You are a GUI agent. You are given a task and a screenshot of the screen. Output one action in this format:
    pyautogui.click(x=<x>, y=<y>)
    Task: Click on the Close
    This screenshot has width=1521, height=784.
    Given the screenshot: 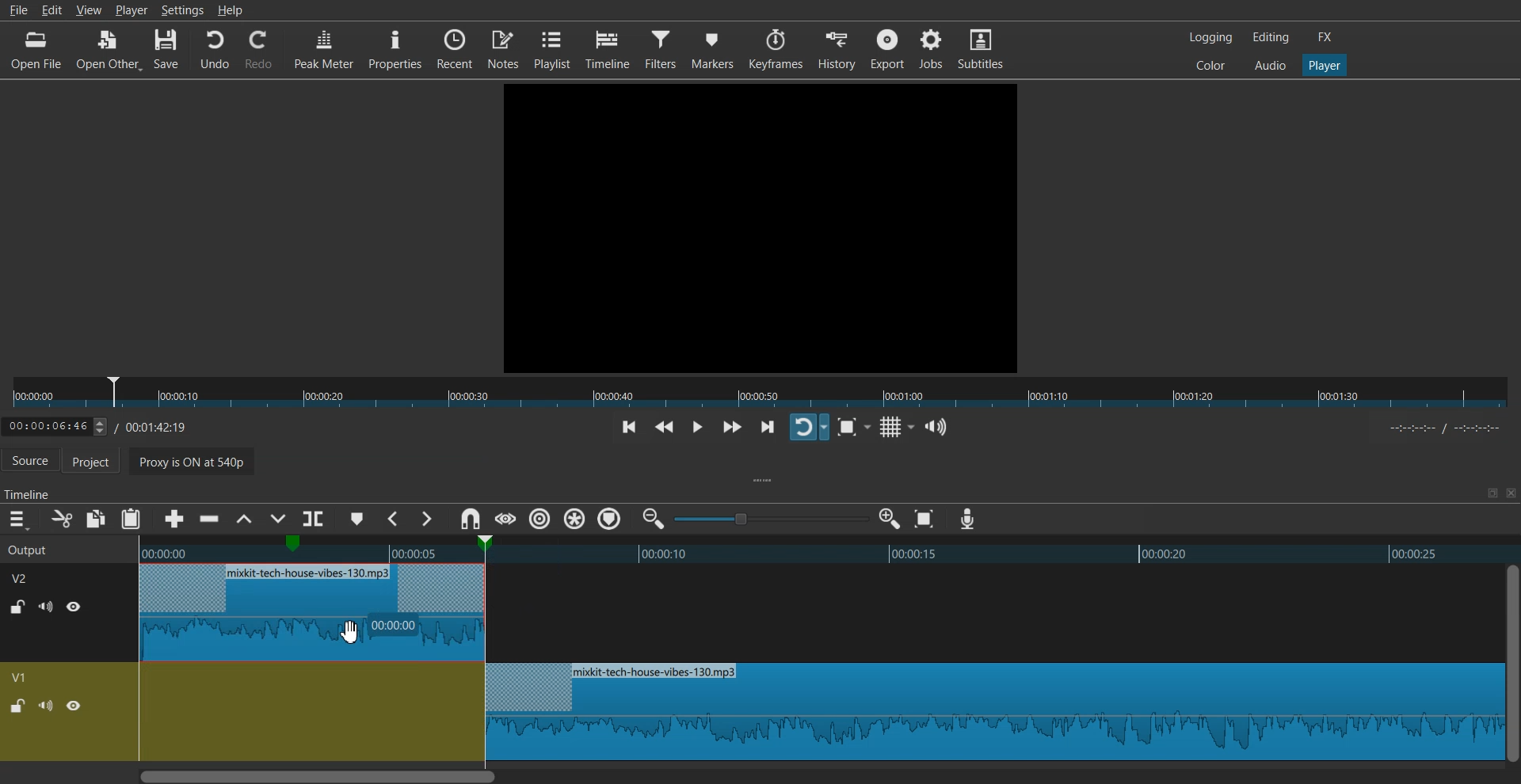 What is the action you would take?
    pyautogui.click(x=1509, y=493)
    